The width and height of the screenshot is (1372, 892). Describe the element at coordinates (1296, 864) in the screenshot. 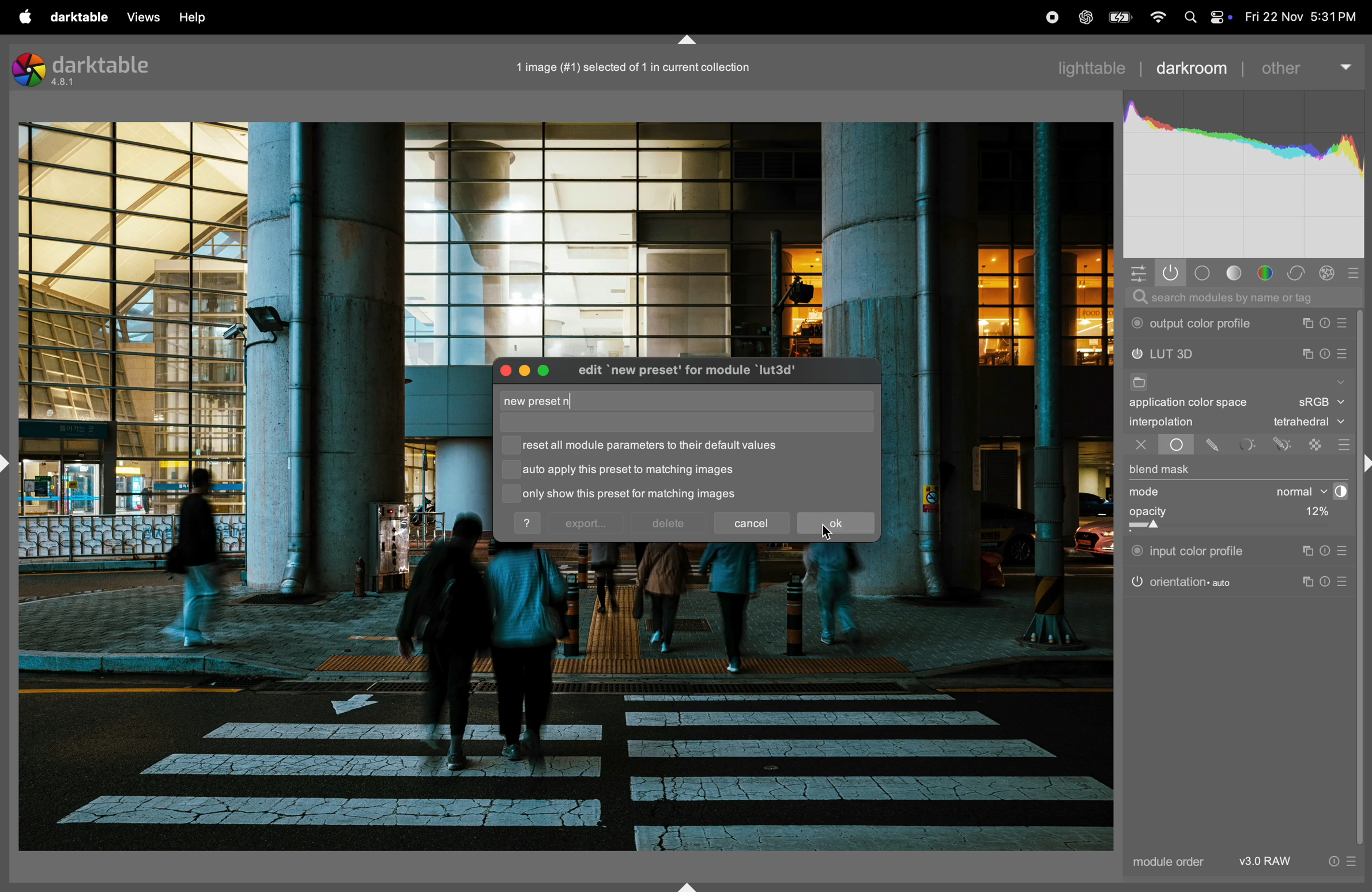

I see `v3.0 raw` at that location.